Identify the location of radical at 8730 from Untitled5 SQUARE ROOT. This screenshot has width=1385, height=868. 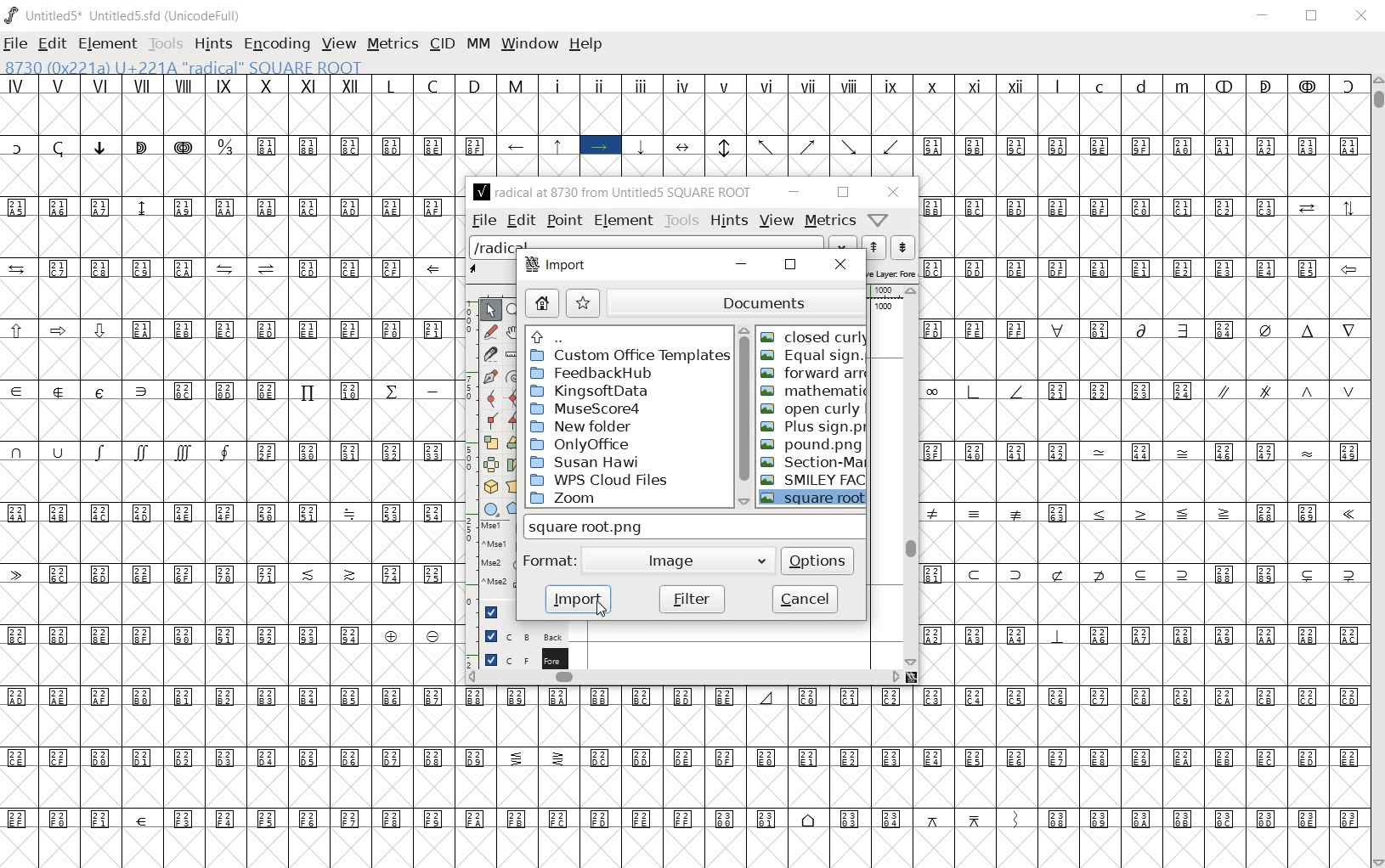
(612, 194).